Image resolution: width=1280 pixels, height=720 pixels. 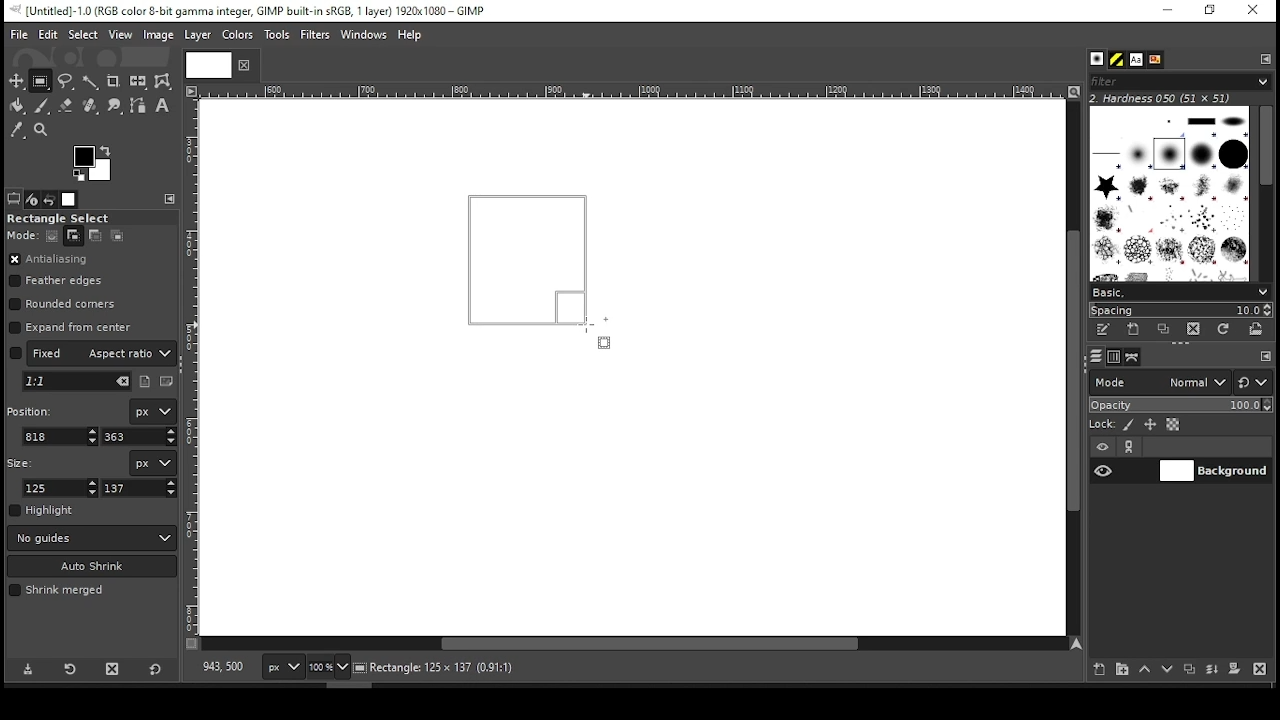 What do you see at coordinates (1266, 358) in the screenshot?
I see `configure this tab` at bounding box center [1266, 358].